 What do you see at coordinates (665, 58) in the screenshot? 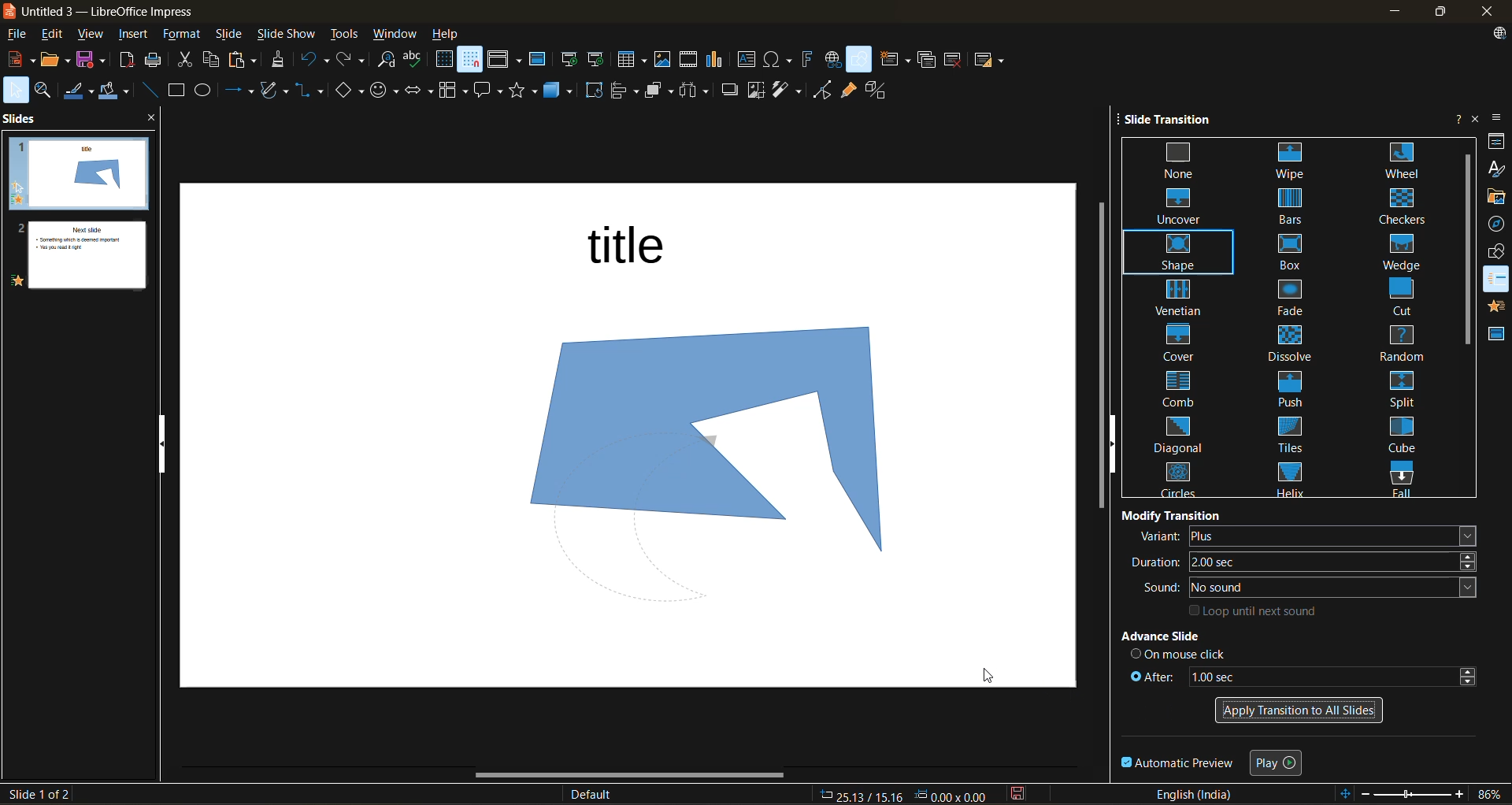
I see `insert image` at bounding box center [665, 58].